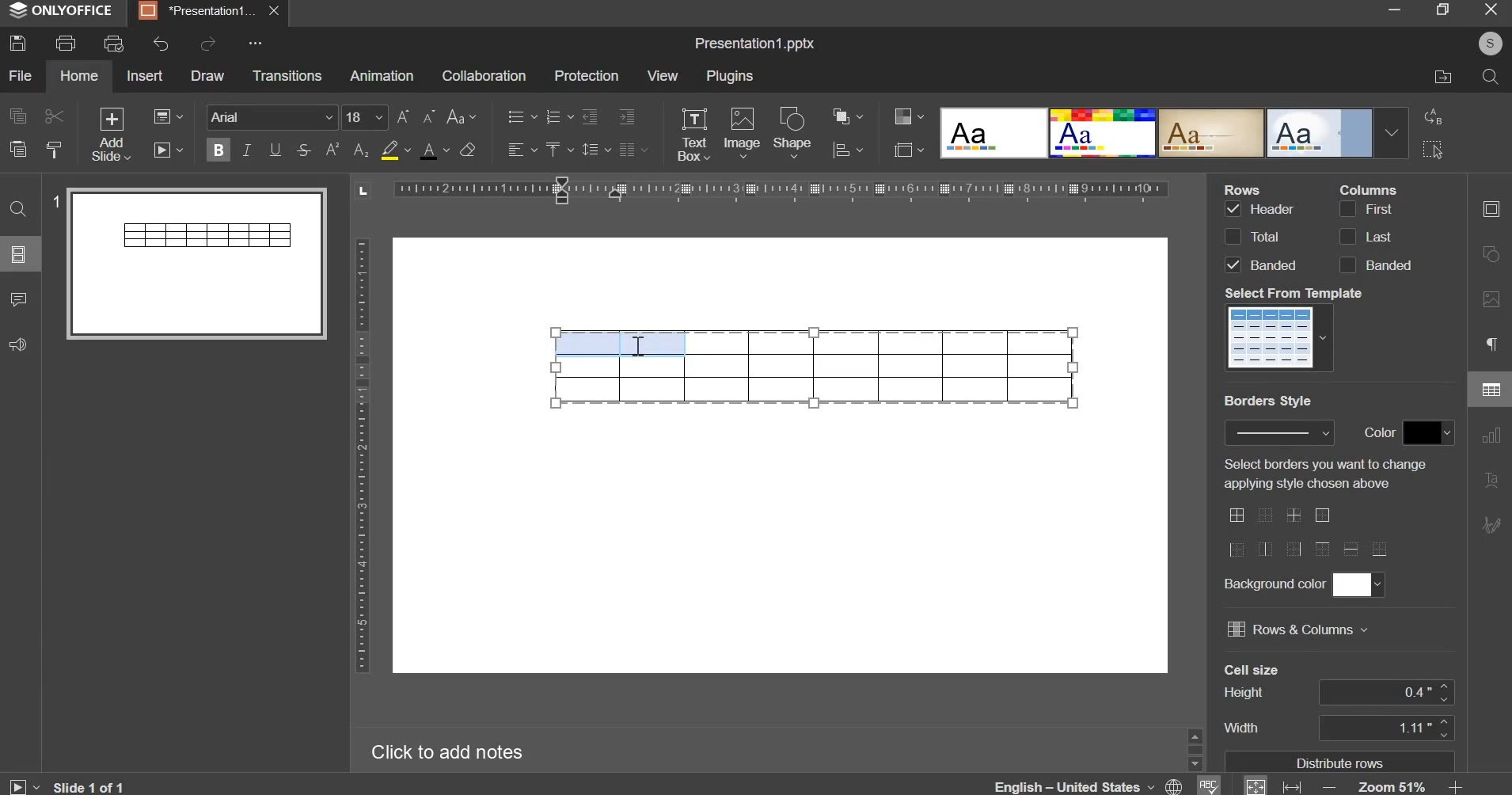 The width and height of the screenshot is (1512, 795). Describe the element at coordinates (18, 299) in the screenshot. I see `comments` at that location.